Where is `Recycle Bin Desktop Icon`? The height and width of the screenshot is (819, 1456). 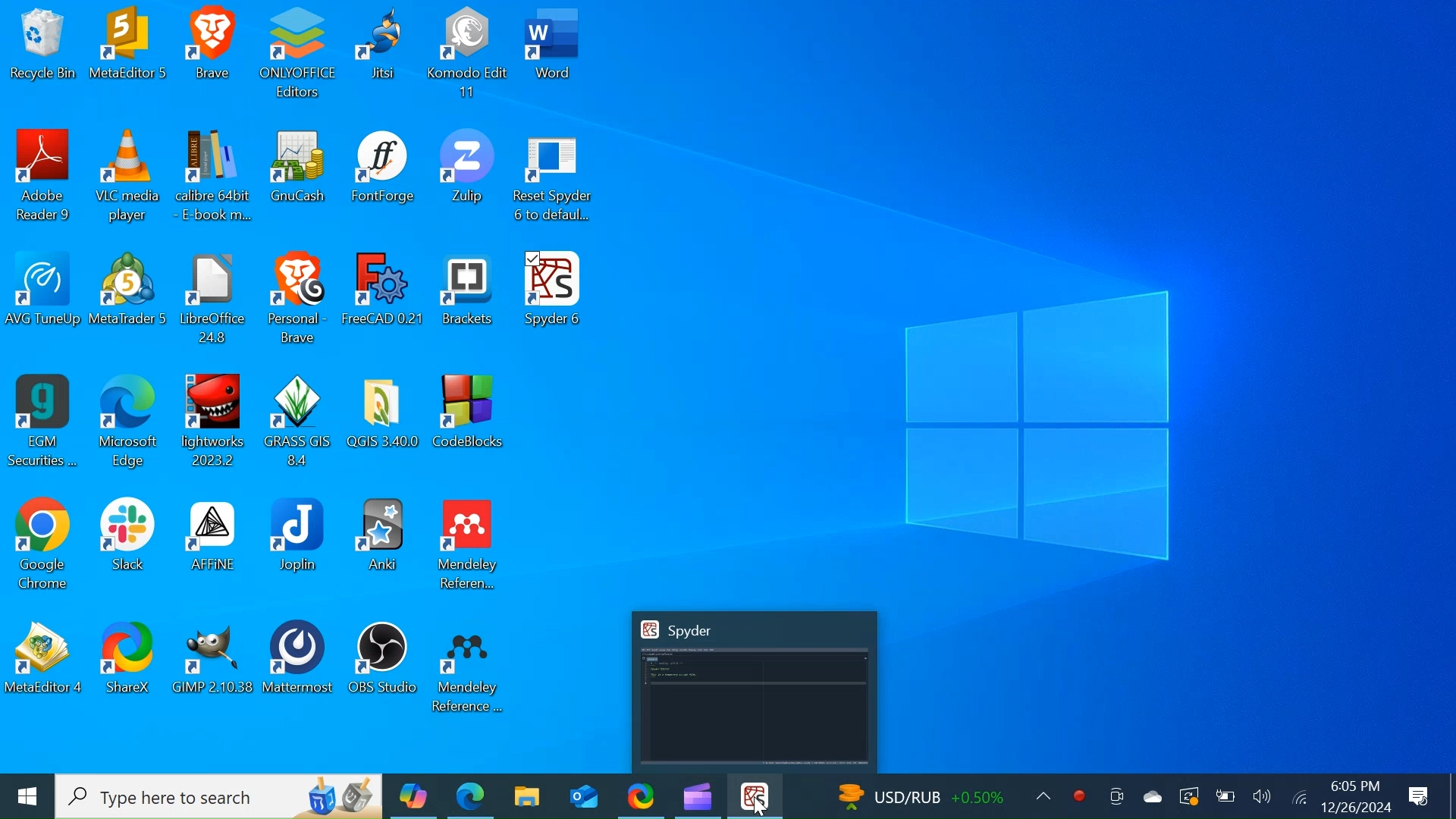 Recycle Bin Desktop Icon is located at coordinates (43, 53).